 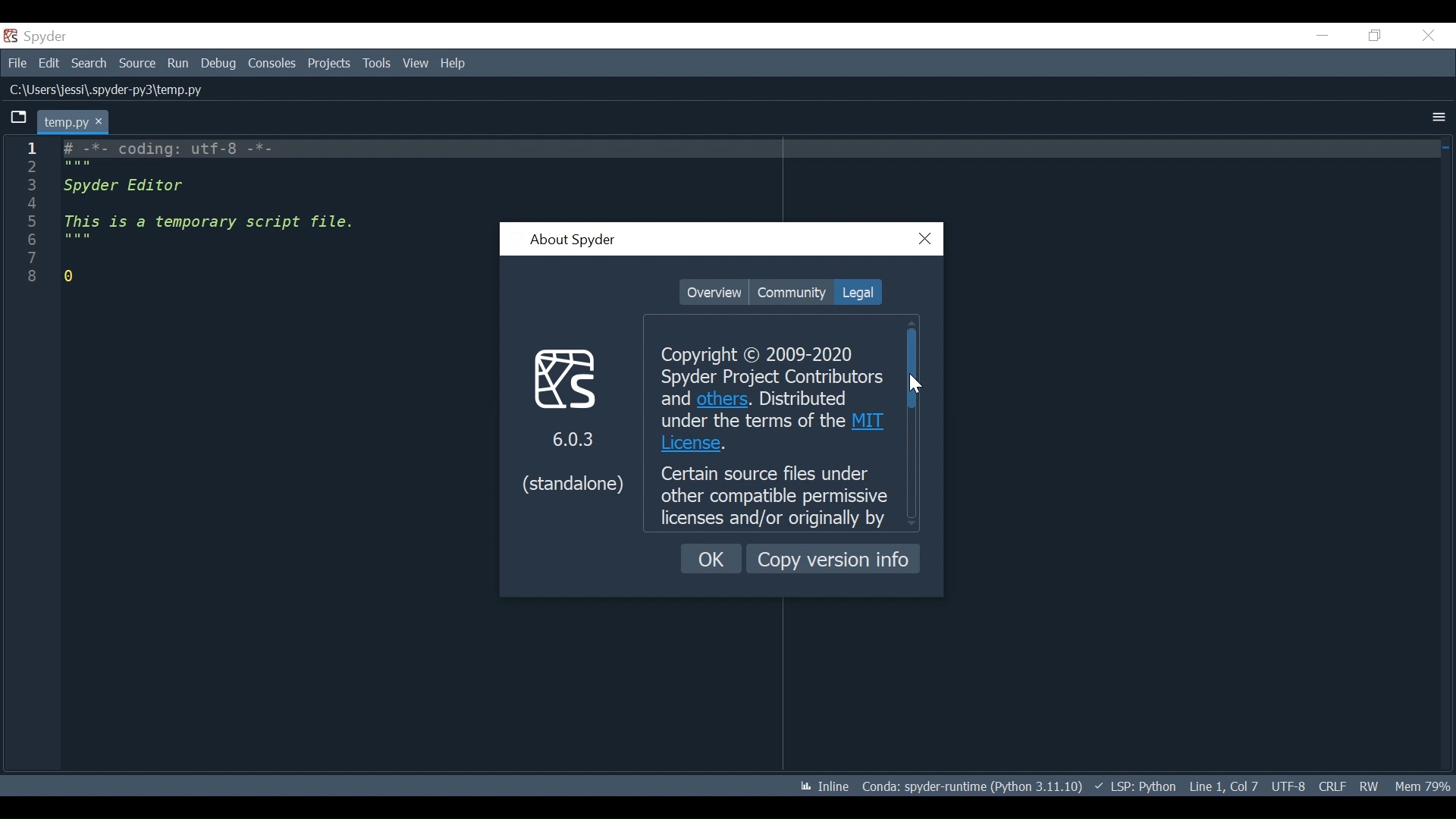 I want to click on Inline, so click(x=818, y=787).